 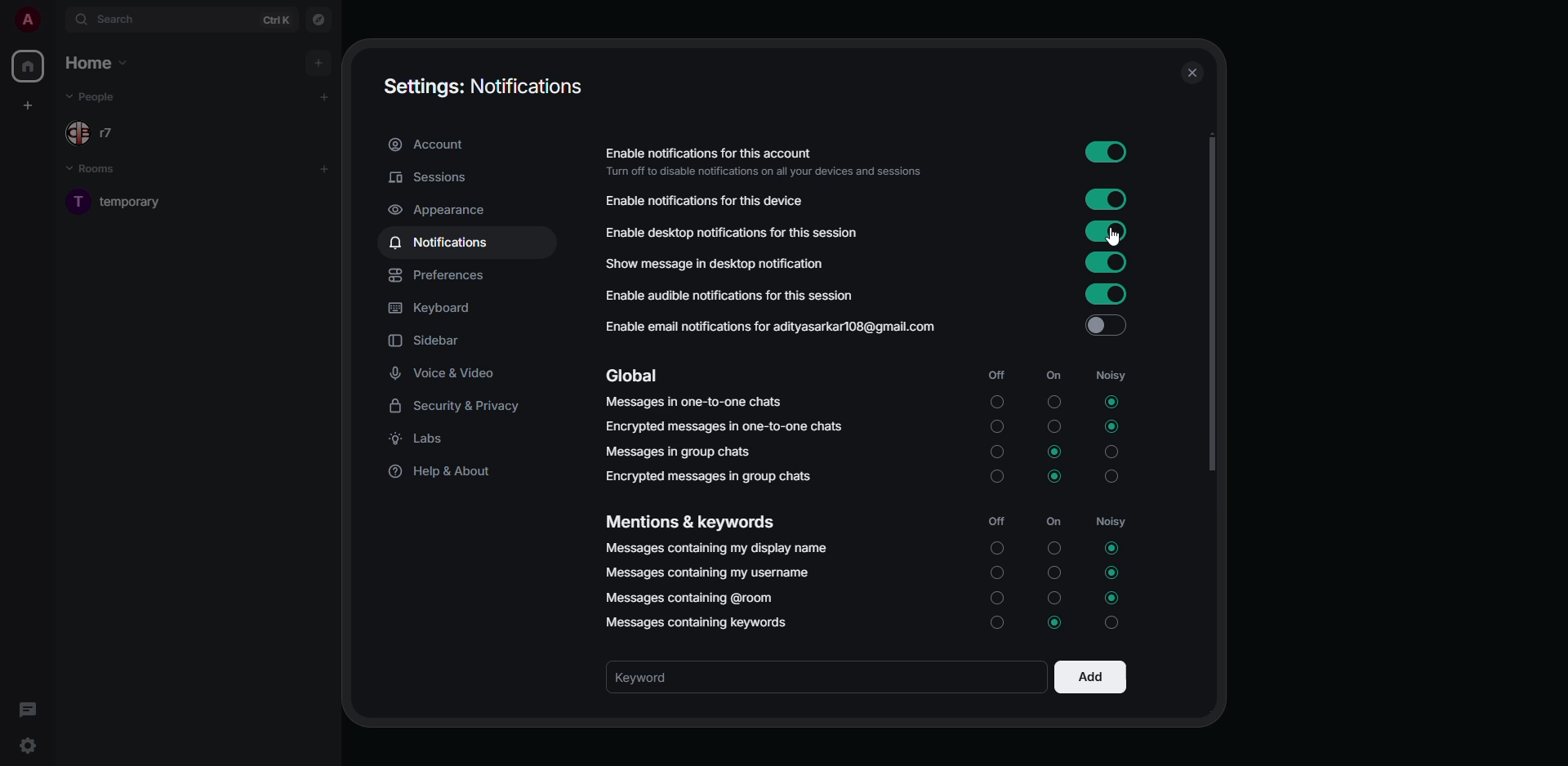 I want to click on noisy, so click(x=1116, y=622).